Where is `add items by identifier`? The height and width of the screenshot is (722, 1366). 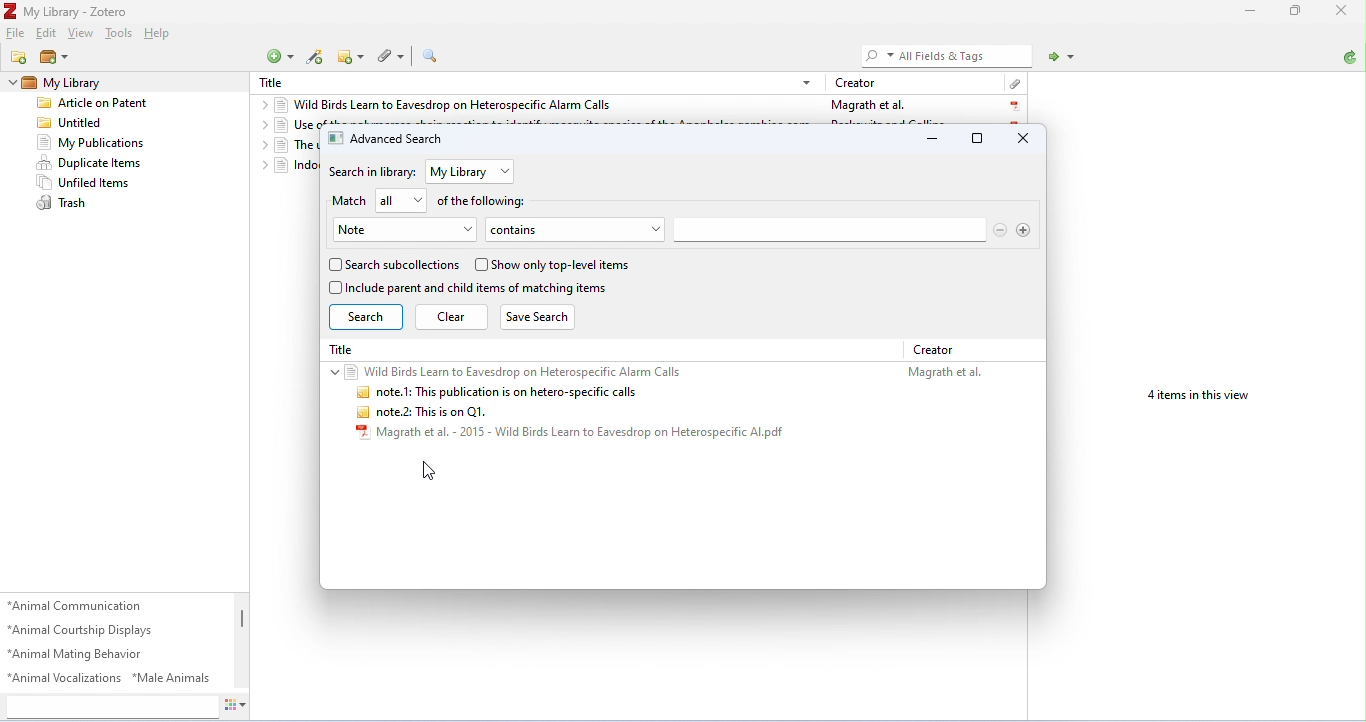
add items by identifier is located at coordinates (319, 59).